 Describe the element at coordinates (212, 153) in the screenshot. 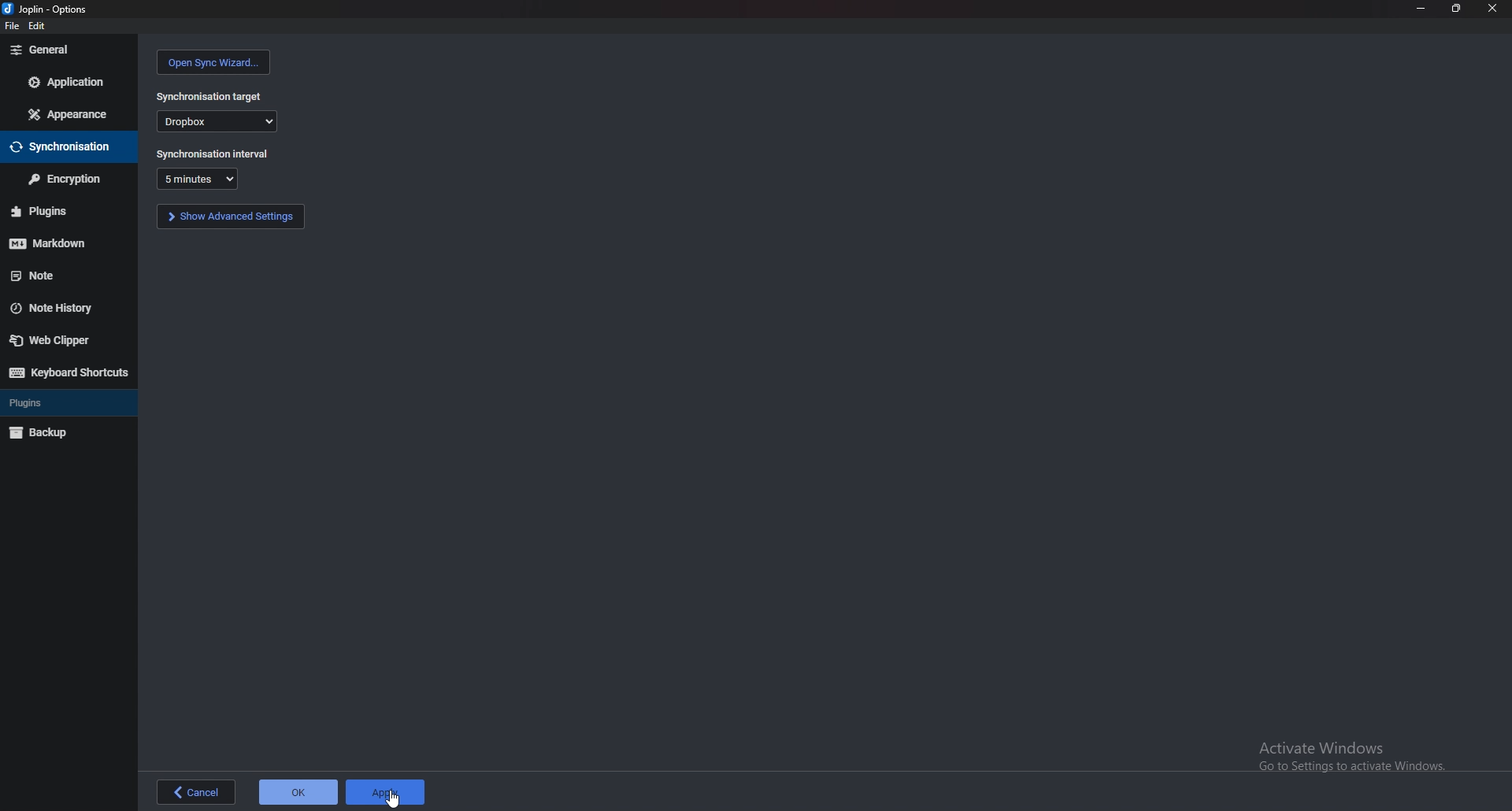

I see `synchronization interval` at that location.